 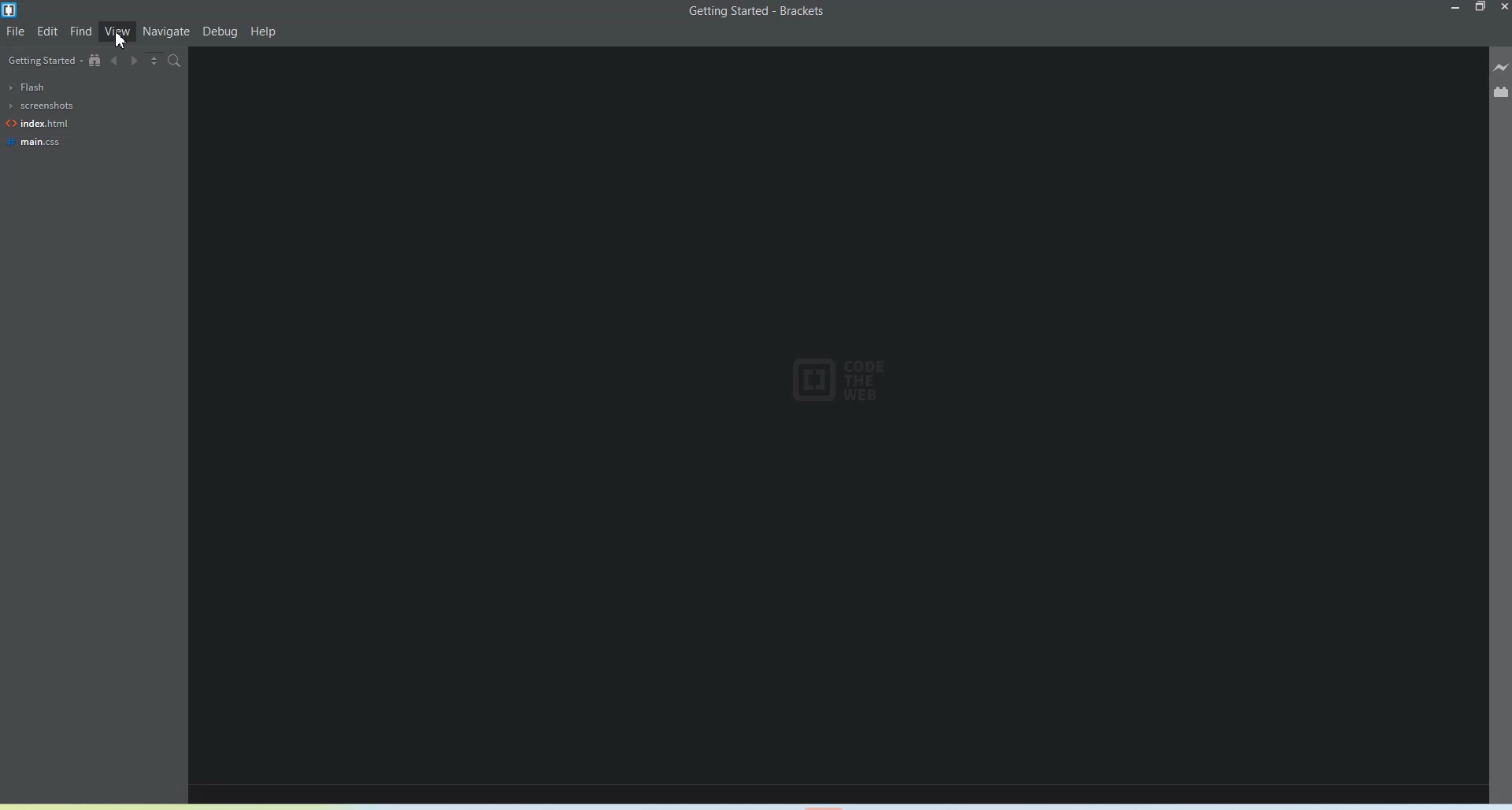 What do you see at coordinates (39, 106) in the screenshot?
I see `screenshots` at bounding box center [39, 106].